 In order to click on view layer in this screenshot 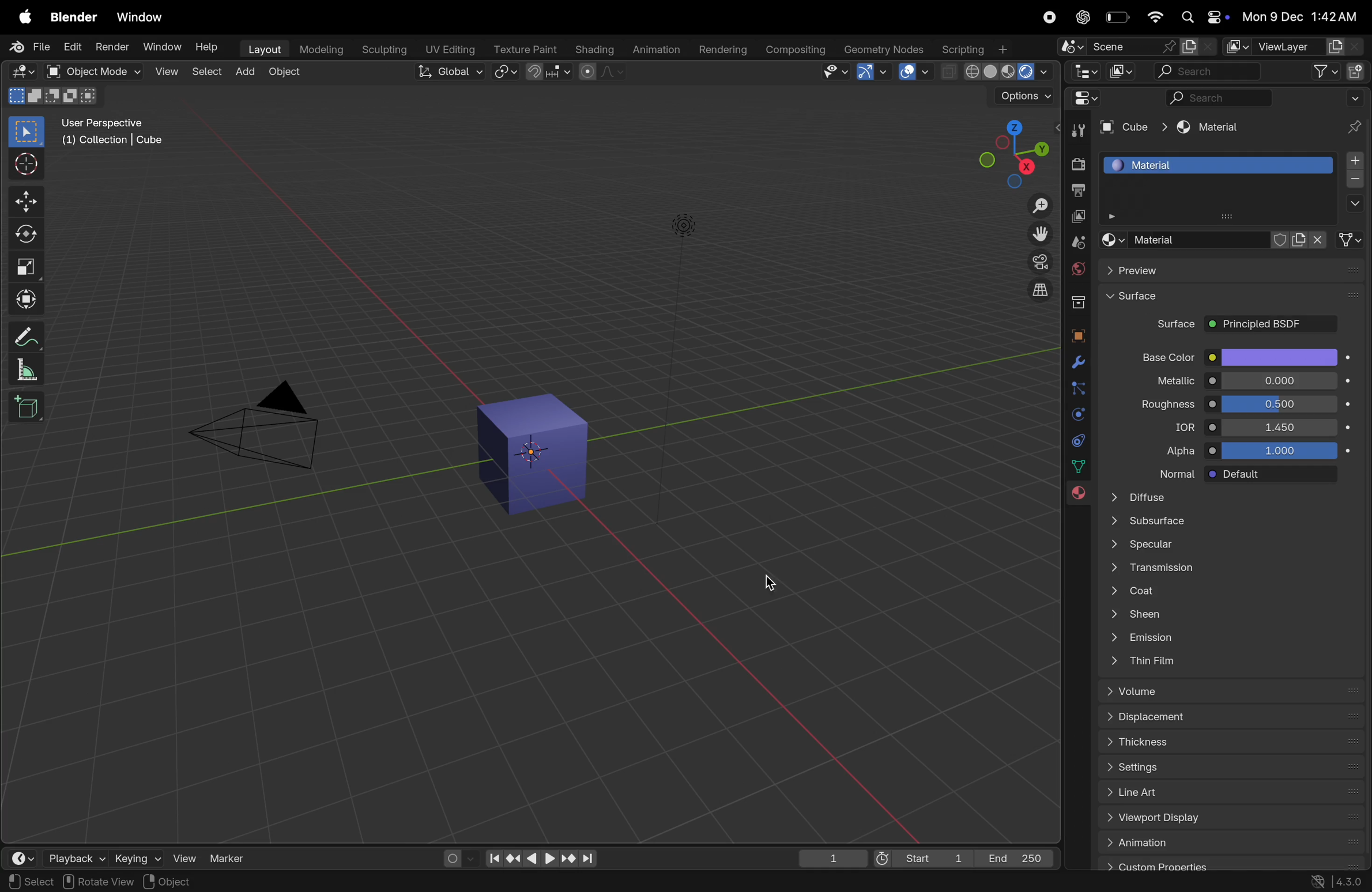, I will do `click(1076, 218)`.